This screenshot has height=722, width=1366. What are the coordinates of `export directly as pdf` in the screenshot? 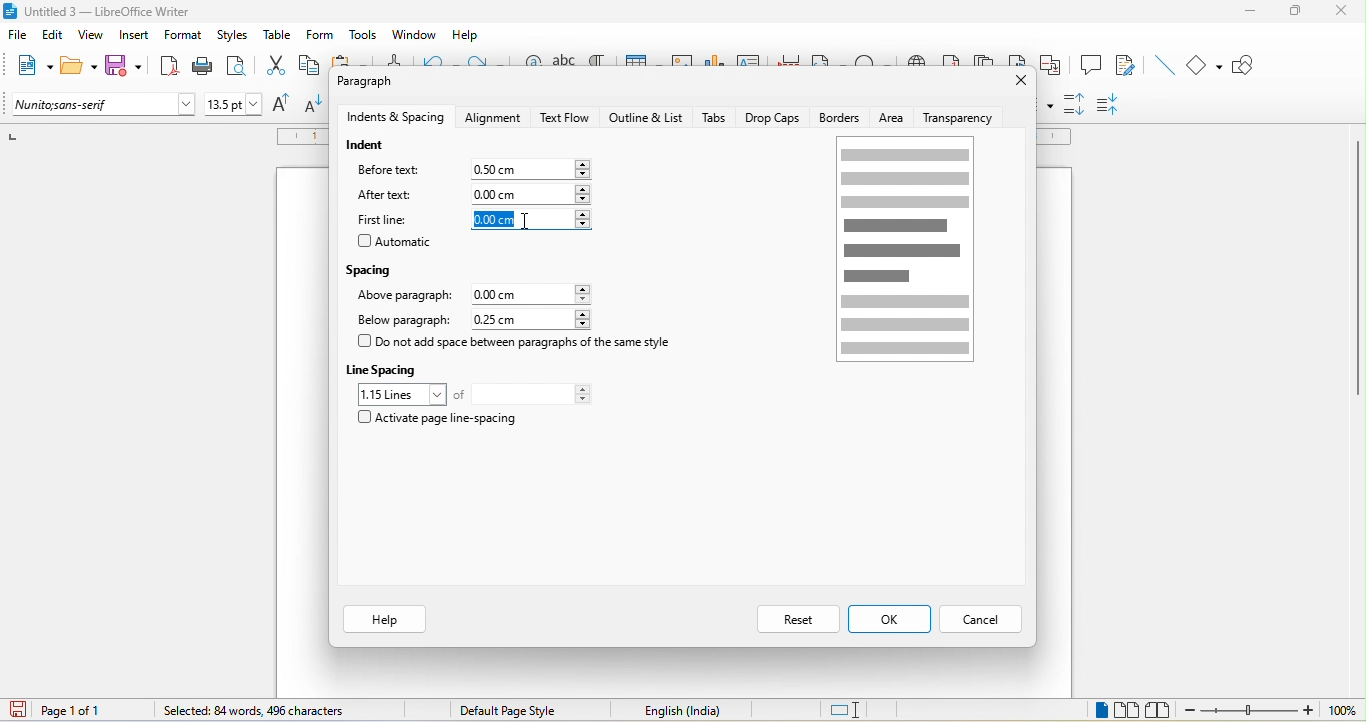 It's located at (168, 65).